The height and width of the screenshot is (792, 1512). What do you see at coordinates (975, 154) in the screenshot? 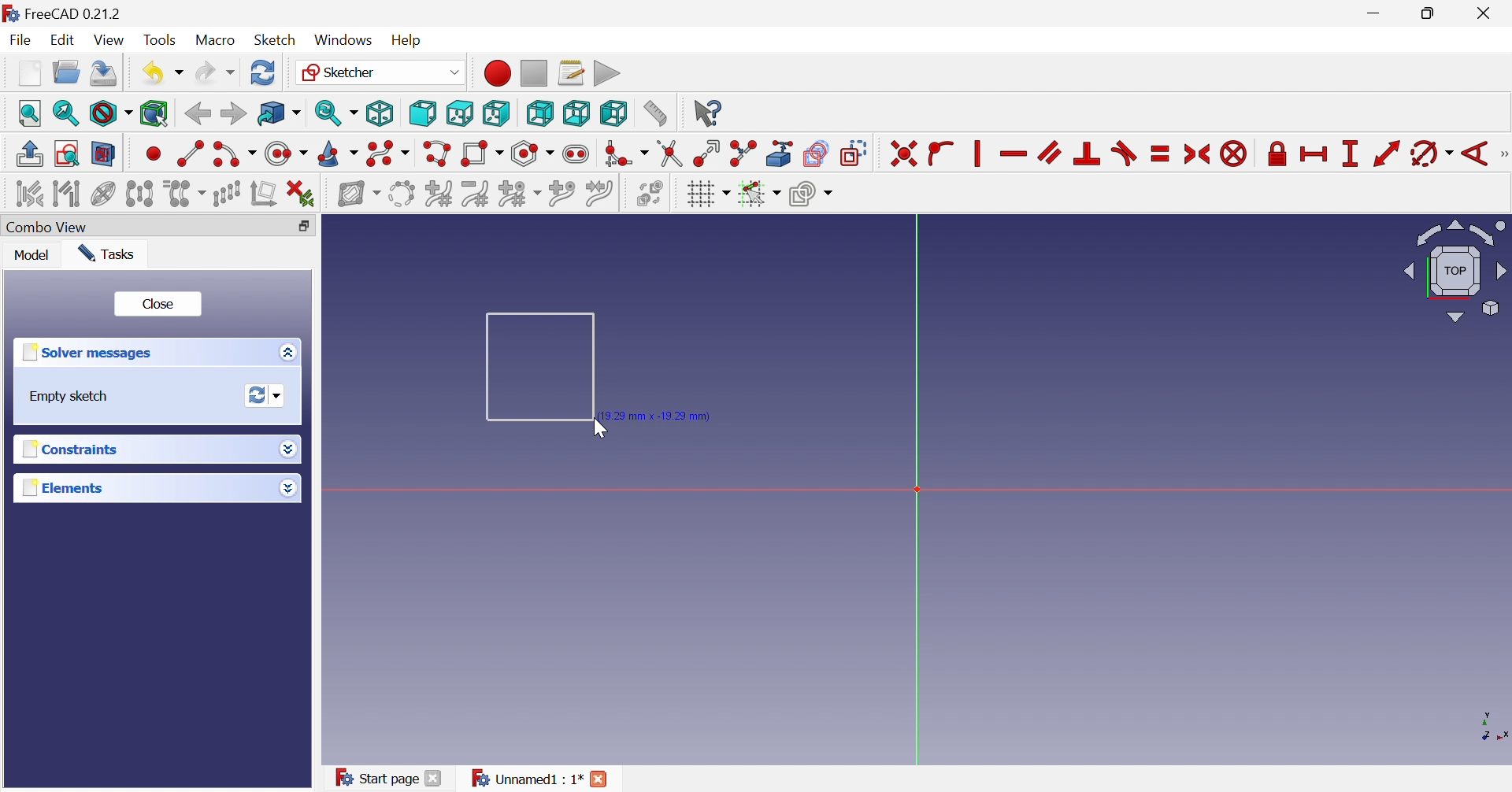
I see `Constrain vertically` at bounding box center [975, 154].